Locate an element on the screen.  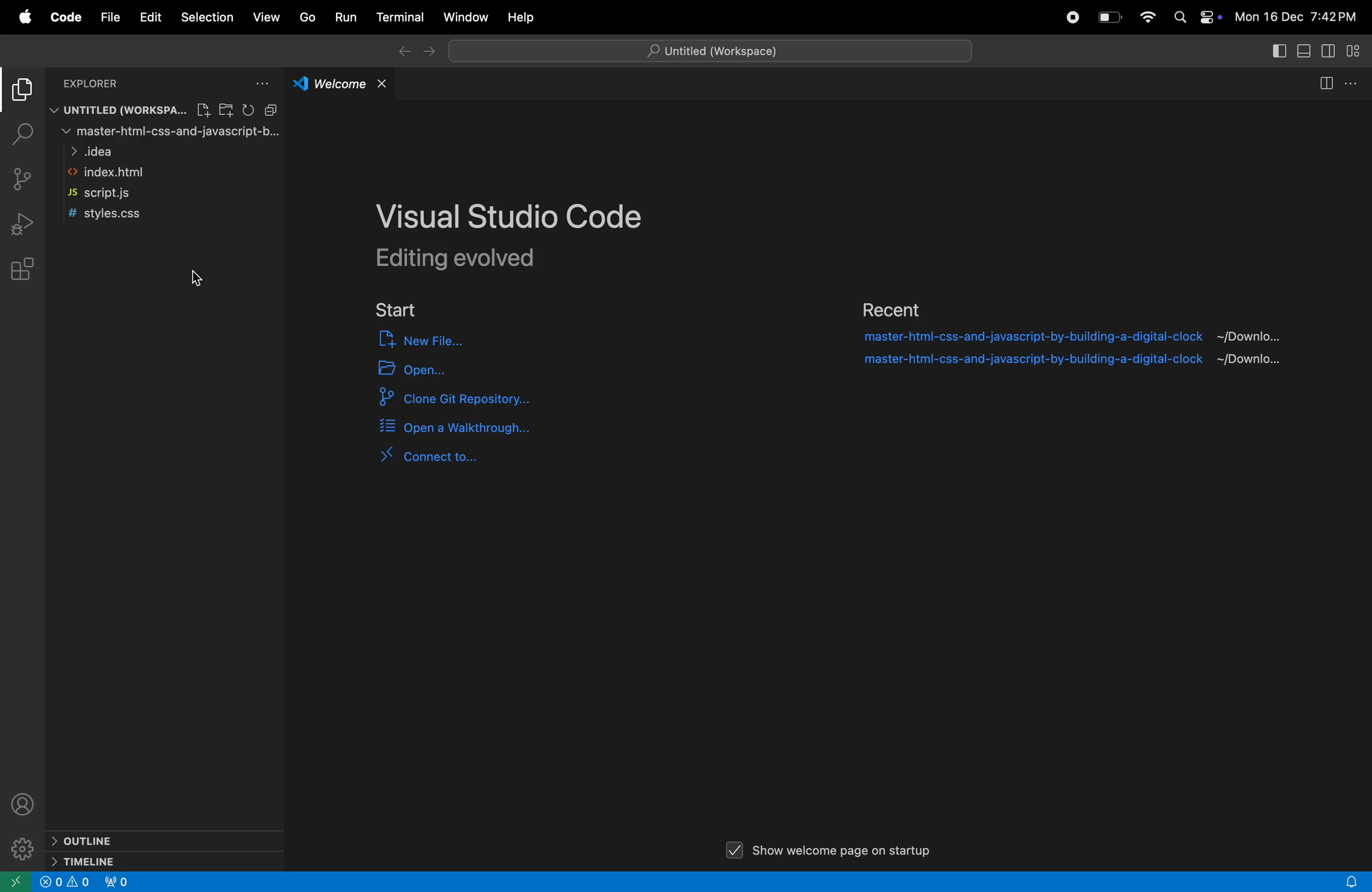
options is located at coordinates (1352, 82).